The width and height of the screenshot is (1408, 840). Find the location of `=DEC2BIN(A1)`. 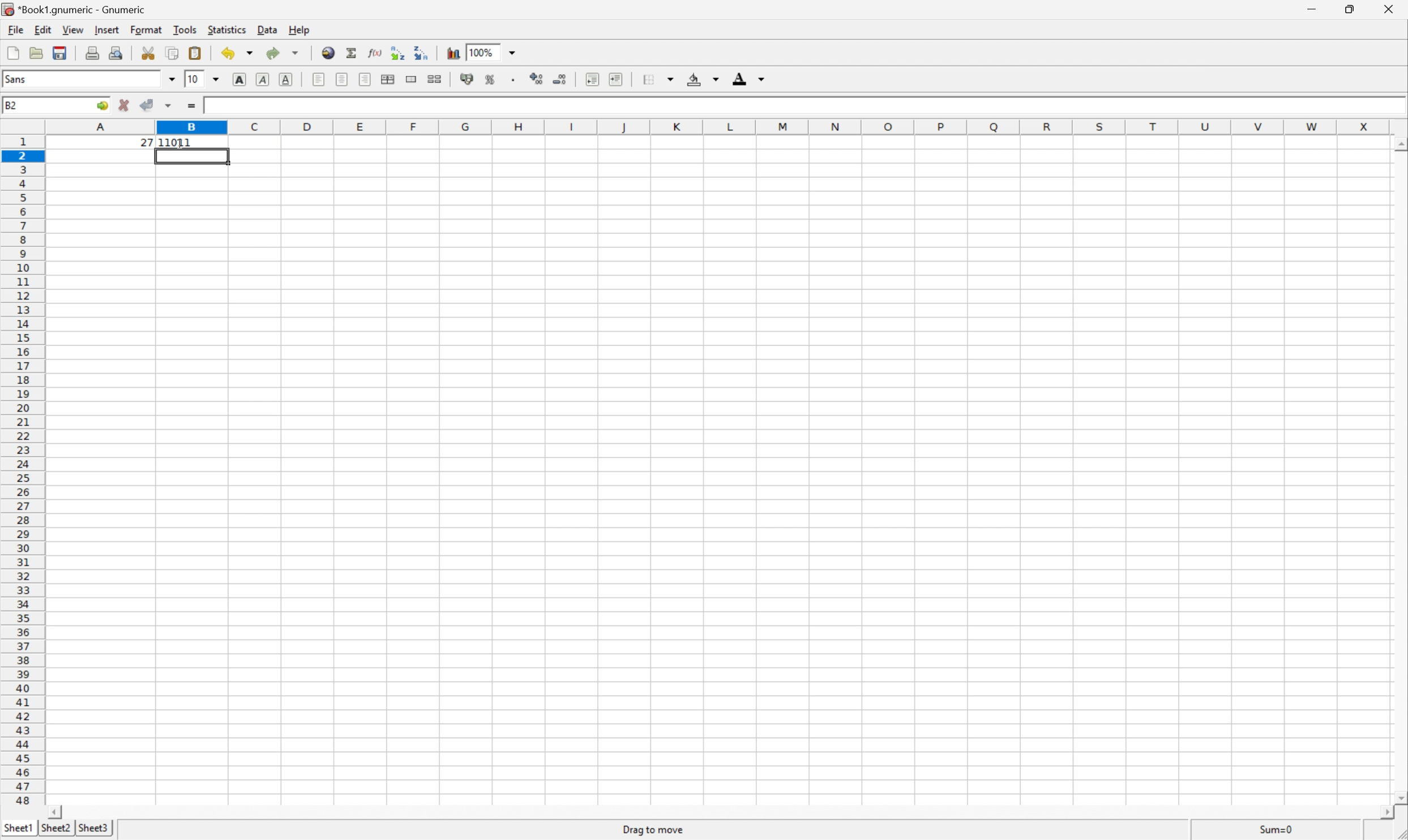

=DEC2BIN(A1) is located at coordinates (238, 106).